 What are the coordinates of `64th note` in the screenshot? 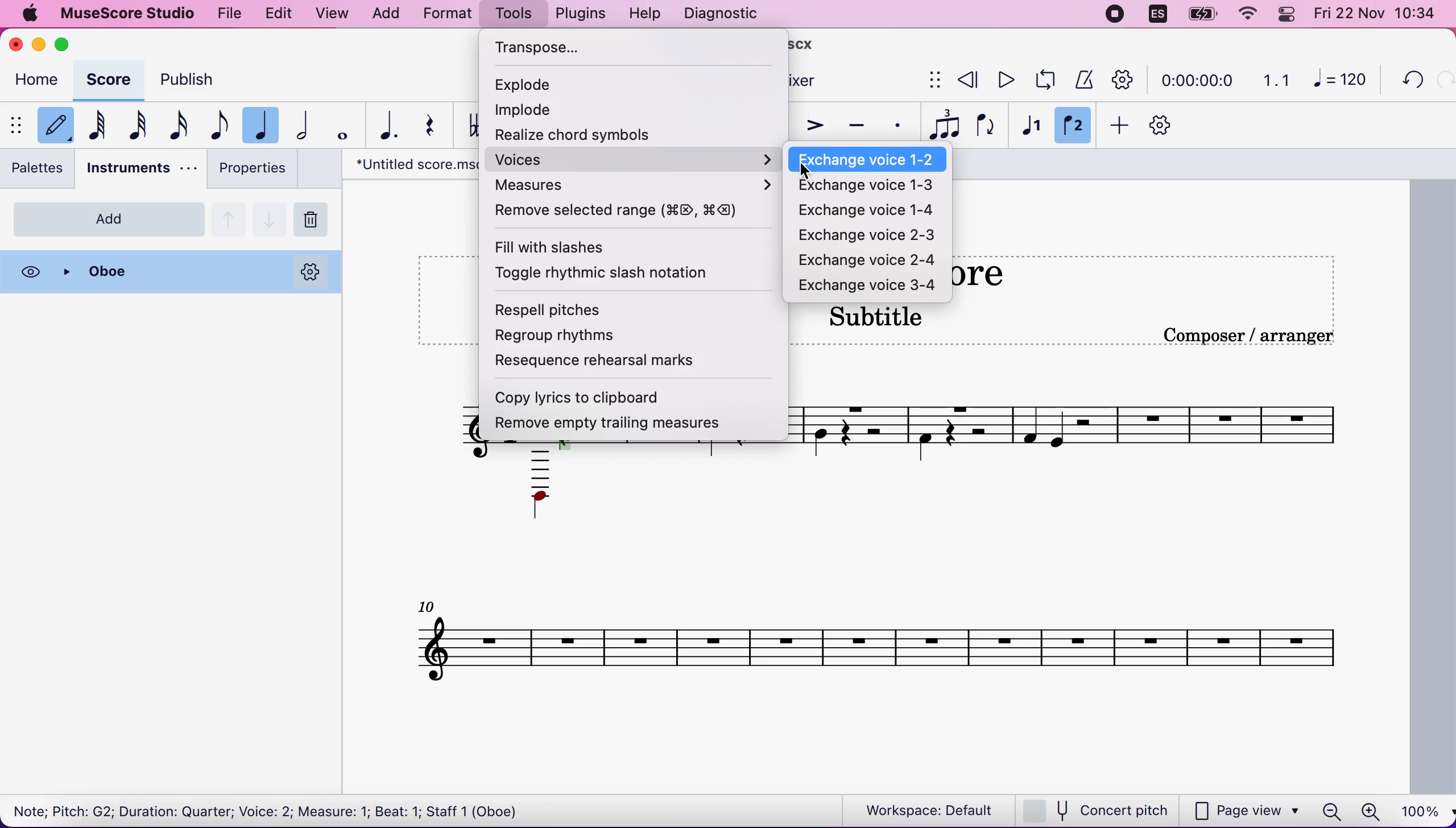 It's located at (104, 123).